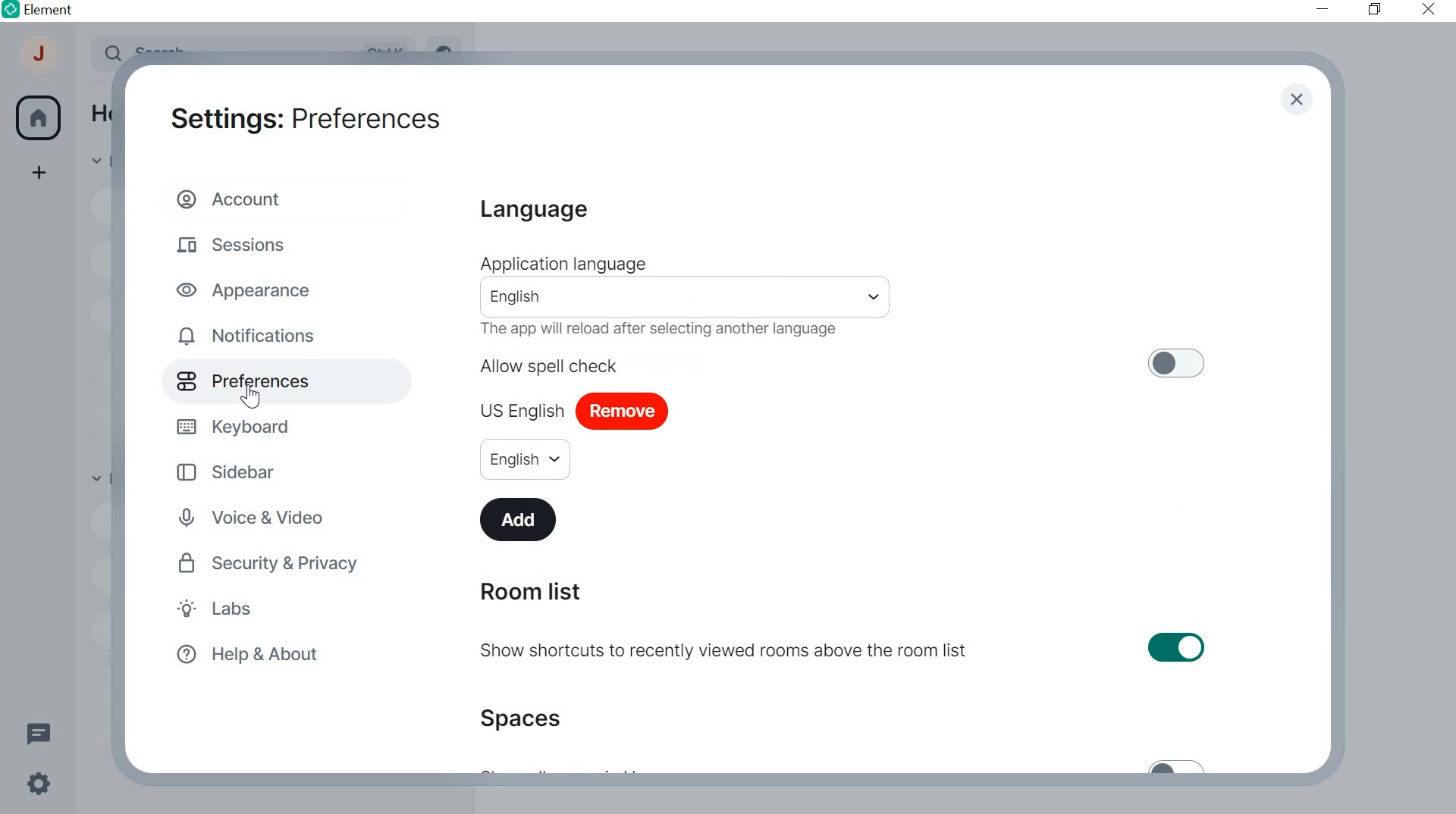 This screenshot has height=814, width=1456. I want to click on SECURITY & PRIVACY, so click(271, 563).